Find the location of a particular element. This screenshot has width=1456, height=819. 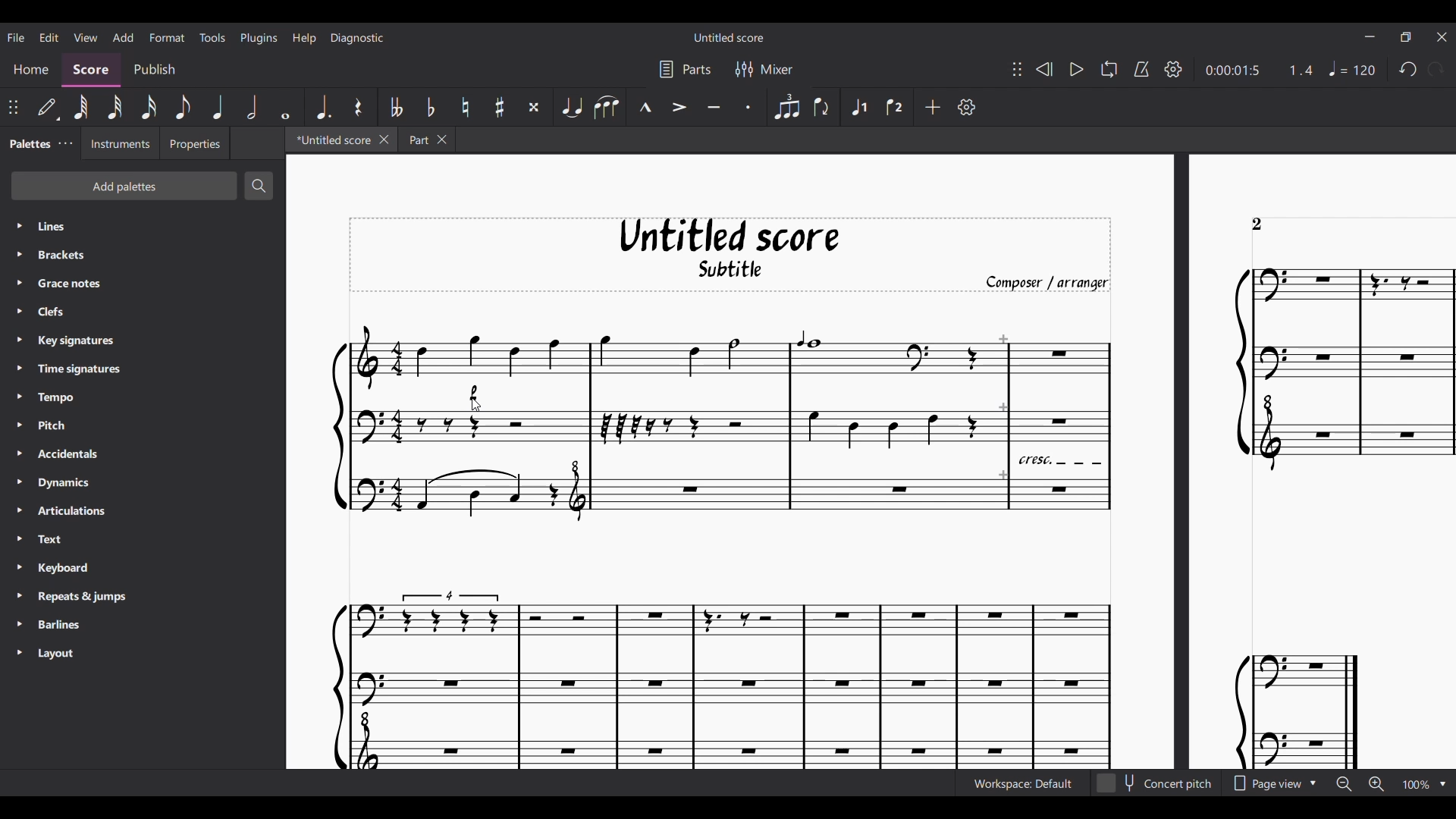

Score title is located at coordinates (729, 37).